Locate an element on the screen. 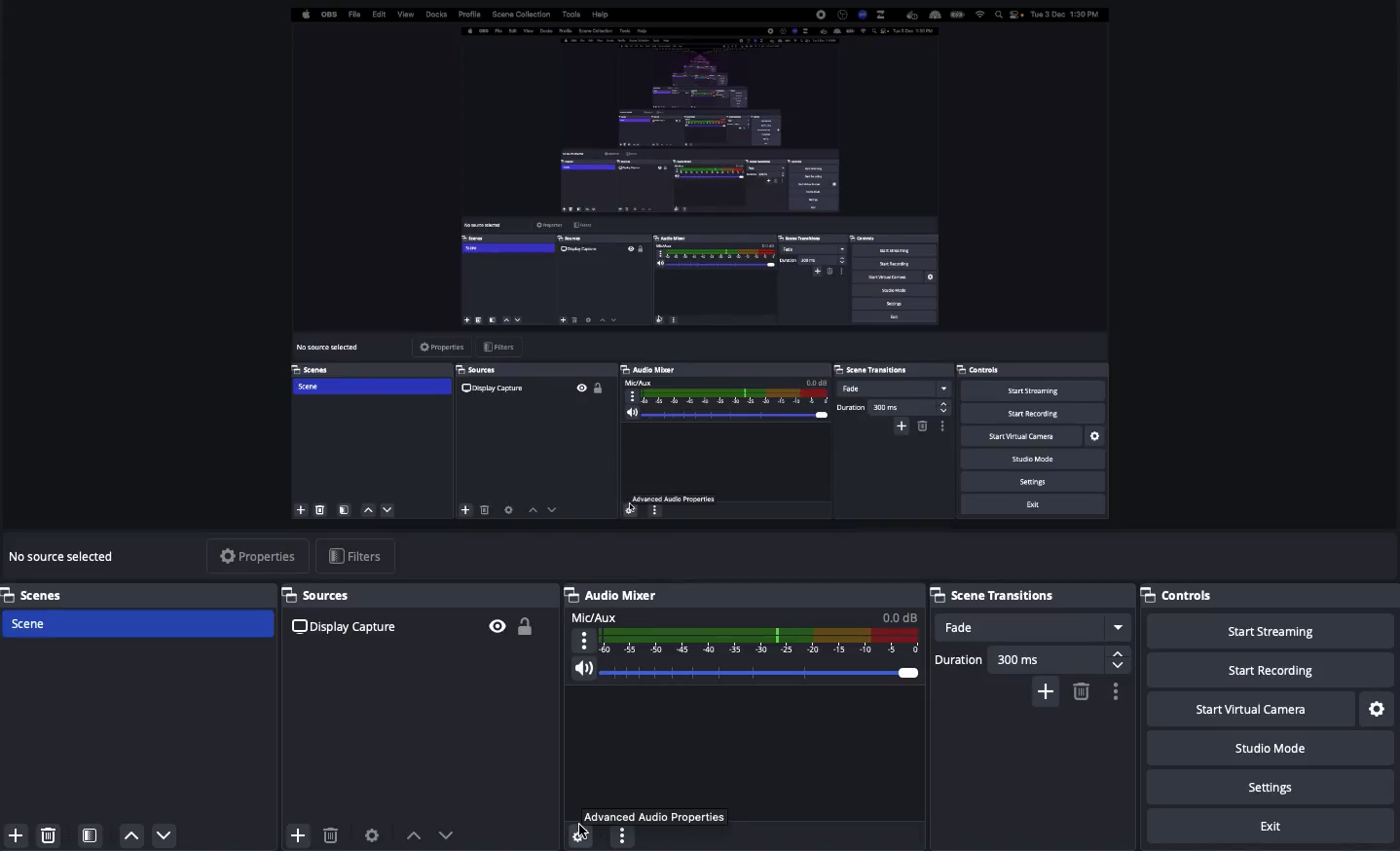  move down is located at coordinates (167, 829).